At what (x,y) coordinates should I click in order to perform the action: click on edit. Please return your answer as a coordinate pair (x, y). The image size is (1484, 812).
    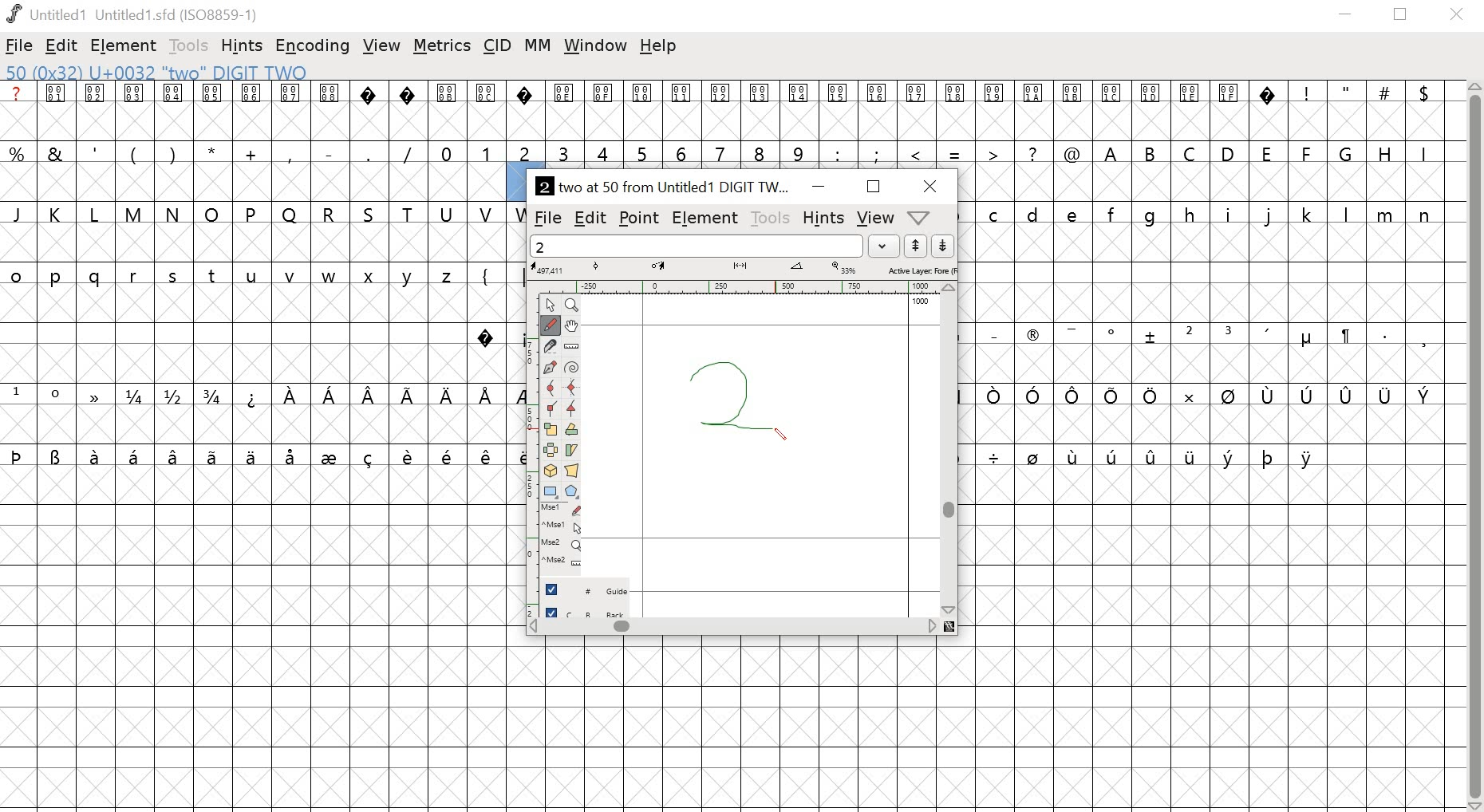
    Looking at the image, I should click on (63, 47).